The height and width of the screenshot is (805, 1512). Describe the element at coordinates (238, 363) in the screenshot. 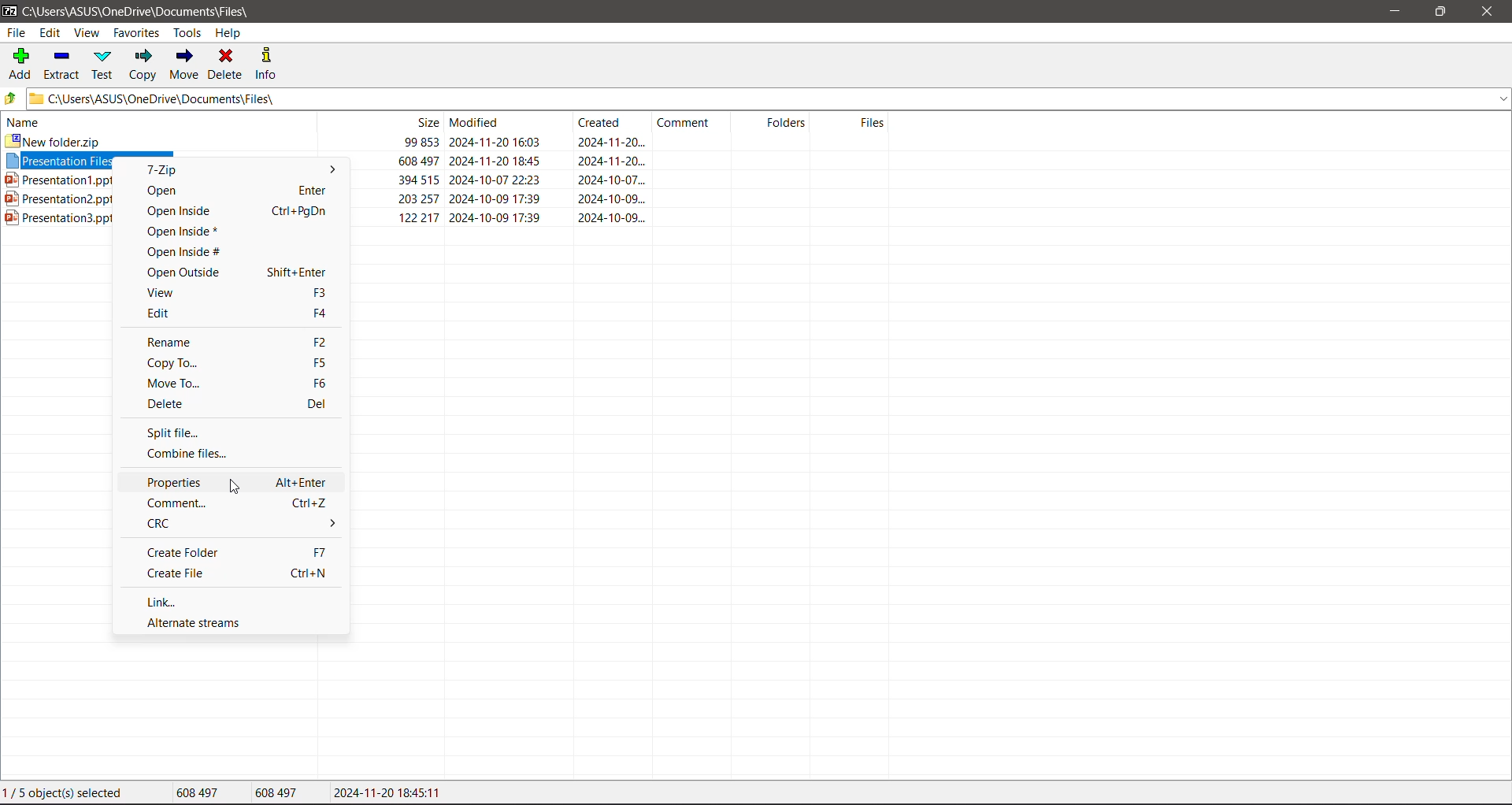

I see `Copy To` at that location.